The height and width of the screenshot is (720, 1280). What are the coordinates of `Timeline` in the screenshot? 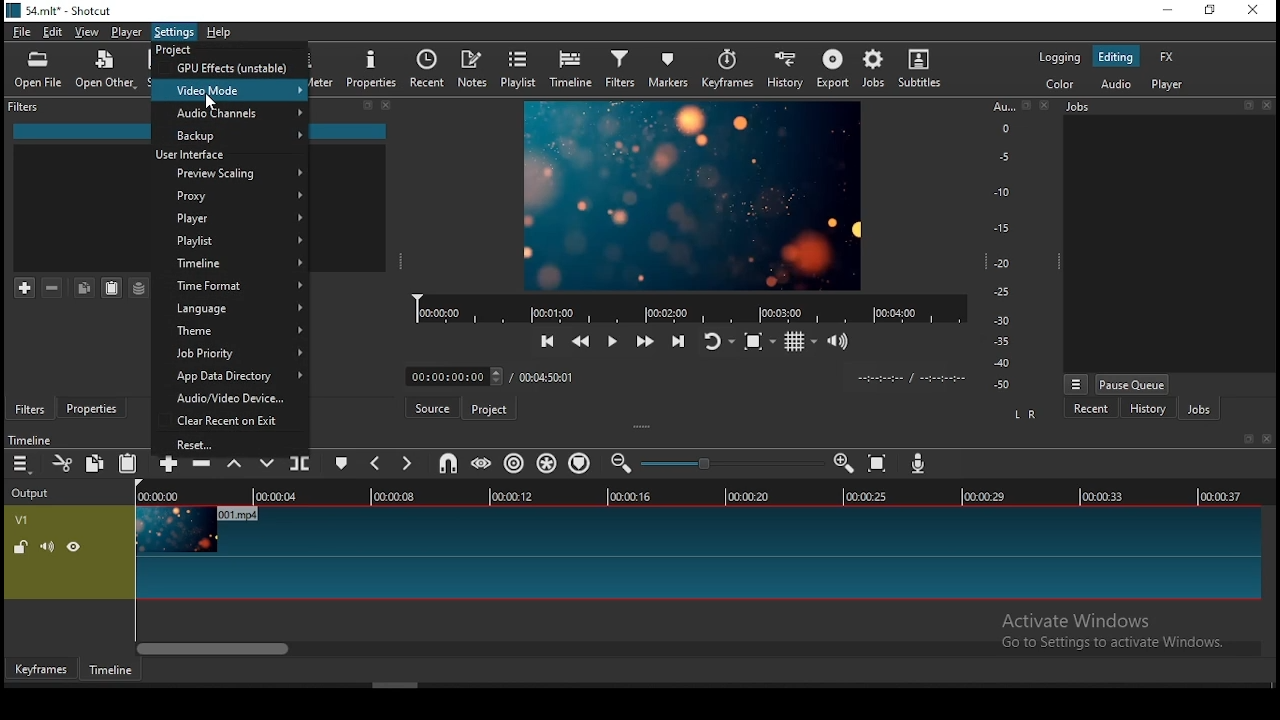 It's located at (121, 669).